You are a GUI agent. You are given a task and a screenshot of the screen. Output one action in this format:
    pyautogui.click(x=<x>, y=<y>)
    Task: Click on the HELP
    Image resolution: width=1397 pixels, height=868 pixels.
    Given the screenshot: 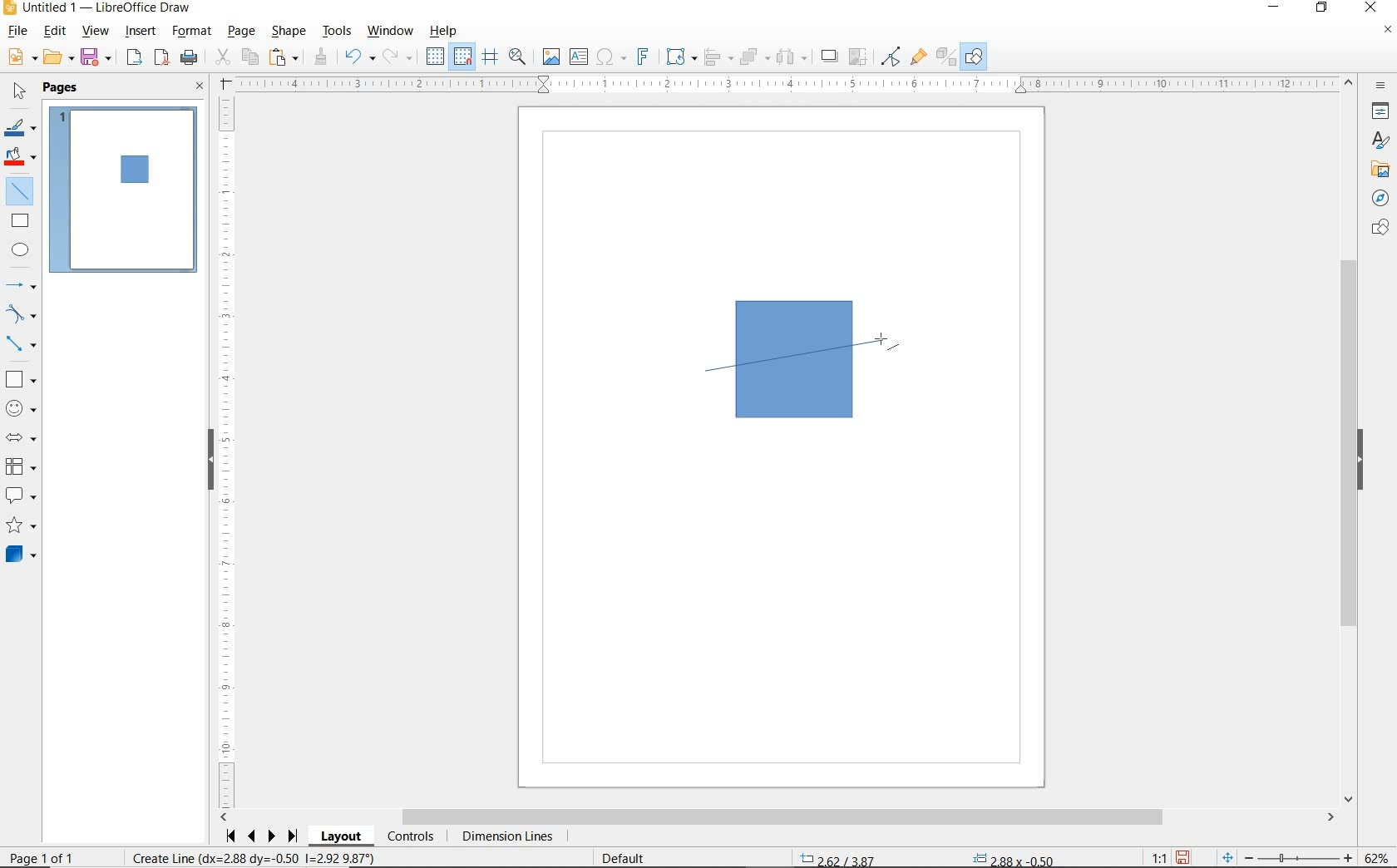 What is the action you would take?
    pyautogui.click(x=447, y=31)
    